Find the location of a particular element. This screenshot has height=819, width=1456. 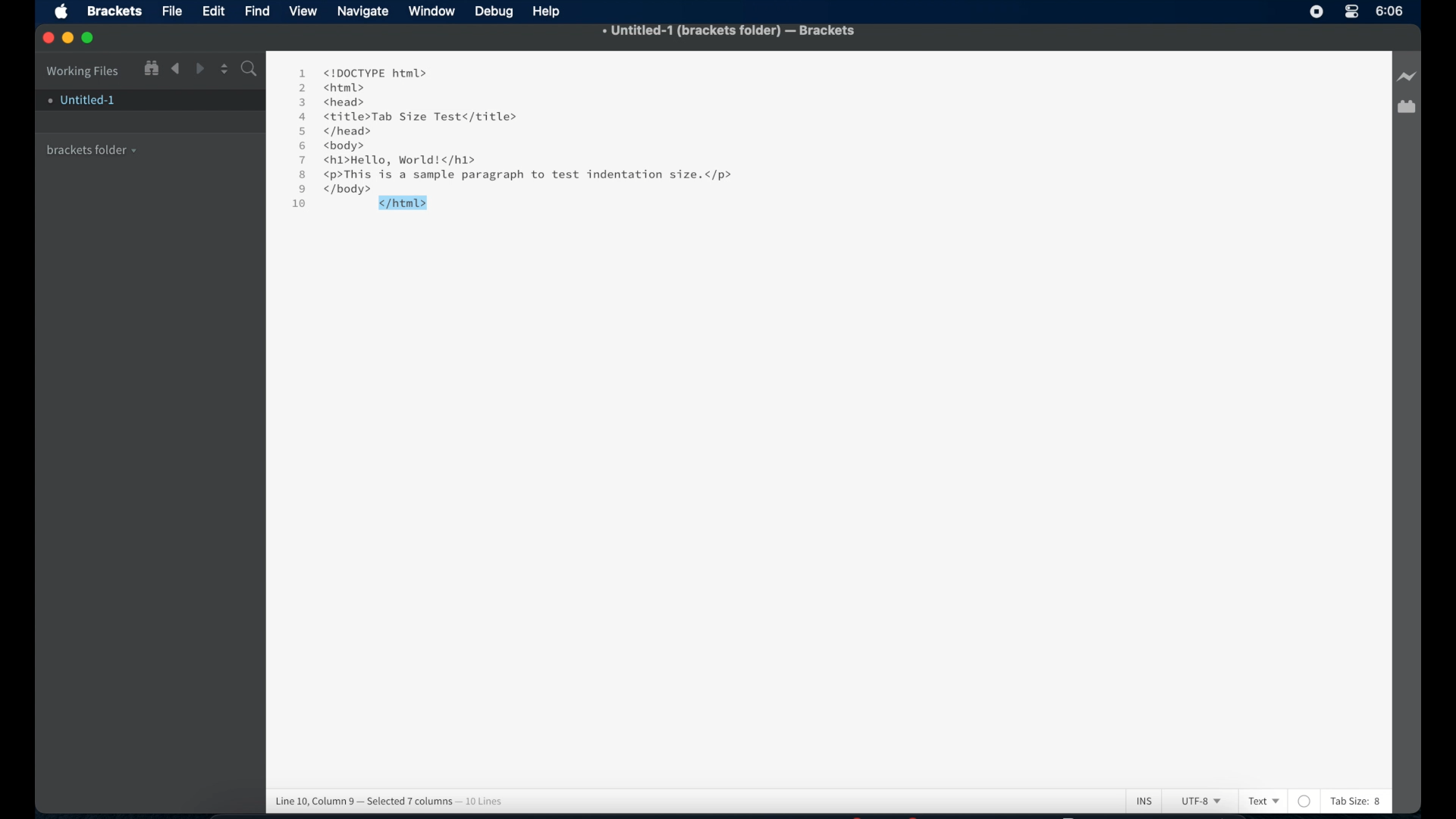

Help is located at coordinates (550, 11).